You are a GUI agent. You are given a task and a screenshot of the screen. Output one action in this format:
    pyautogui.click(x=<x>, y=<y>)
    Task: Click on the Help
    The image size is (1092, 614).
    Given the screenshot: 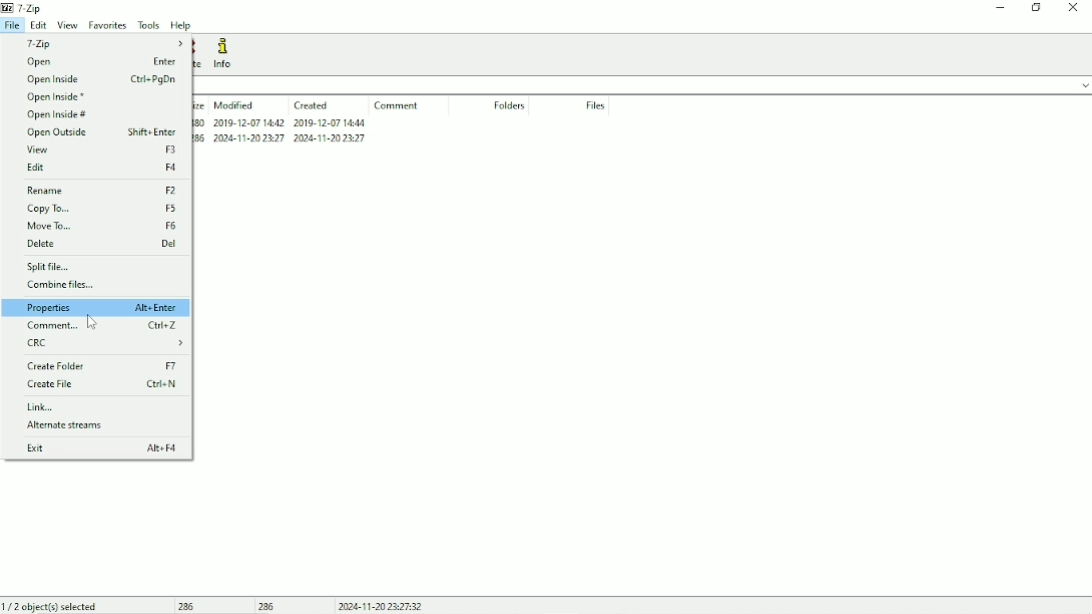 What is the action you would take?
    pyautogui.click(x=183, y=25)
    